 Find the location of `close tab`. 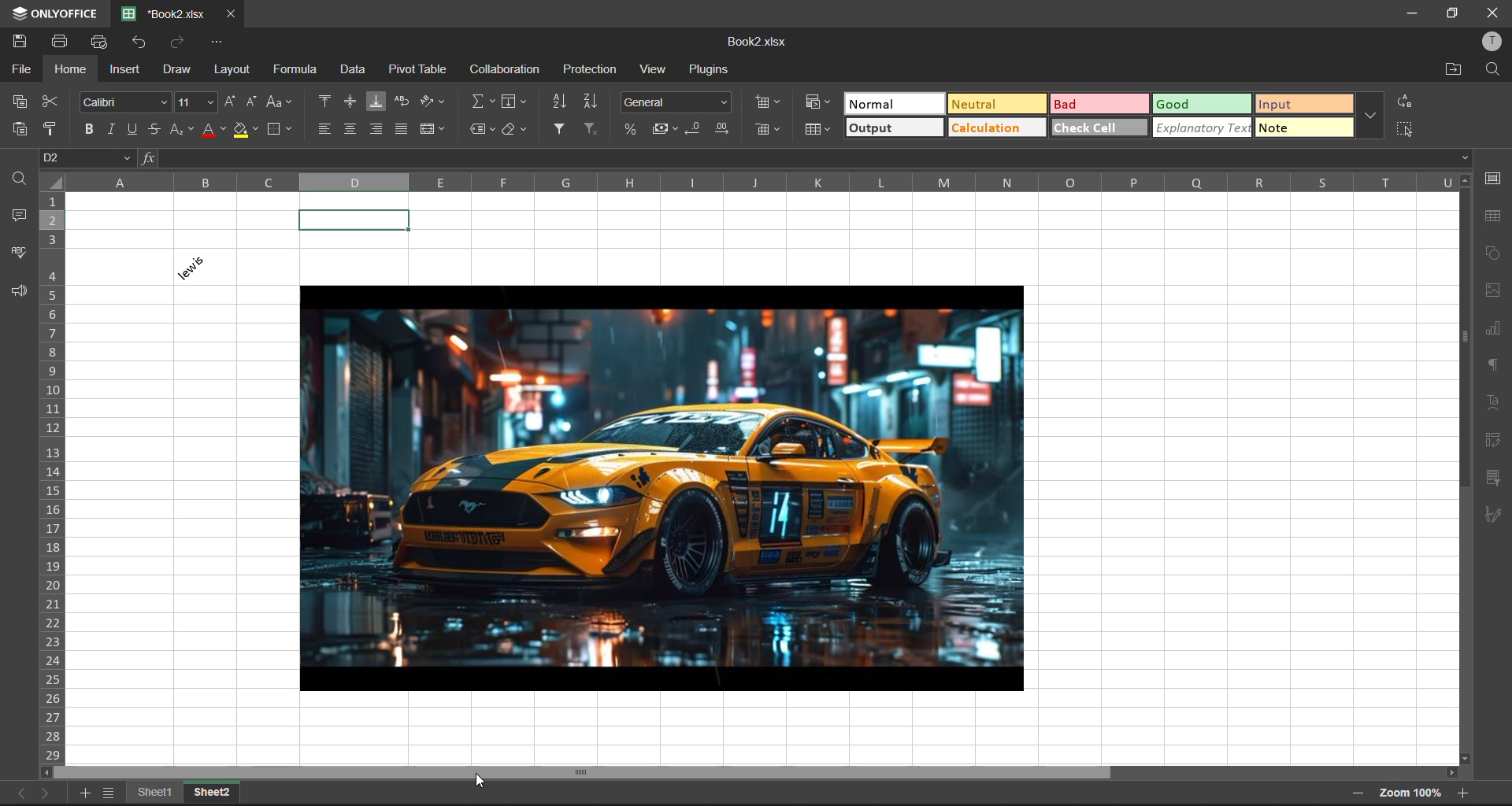

close tab is located at coordinates (228, 13).